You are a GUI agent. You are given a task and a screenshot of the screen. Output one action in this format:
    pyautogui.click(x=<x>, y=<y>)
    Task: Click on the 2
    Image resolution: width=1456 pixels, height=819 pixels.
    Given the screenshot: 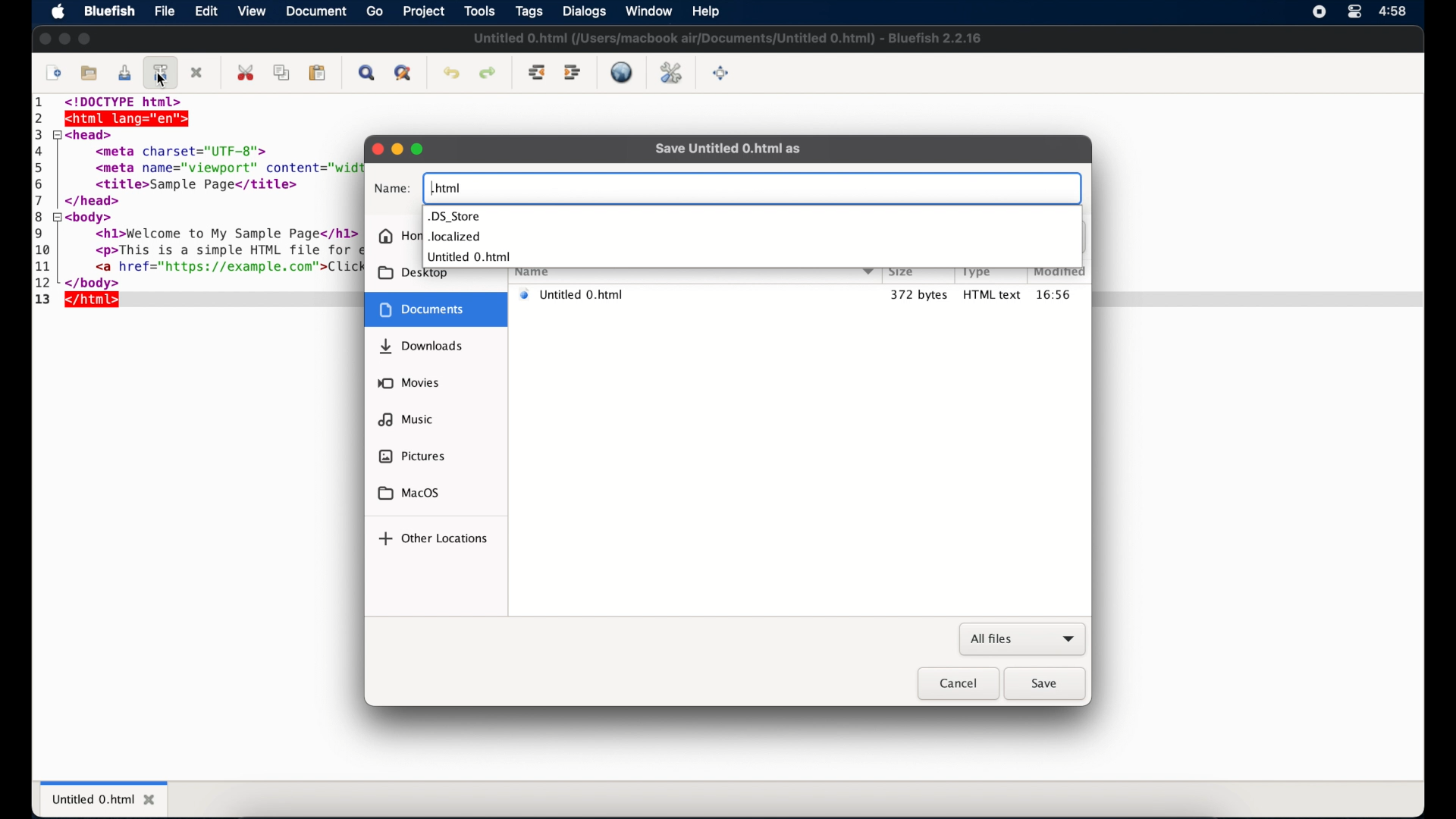 What is the action you would take?
    pyautogui.click(x=40, y=118)
    